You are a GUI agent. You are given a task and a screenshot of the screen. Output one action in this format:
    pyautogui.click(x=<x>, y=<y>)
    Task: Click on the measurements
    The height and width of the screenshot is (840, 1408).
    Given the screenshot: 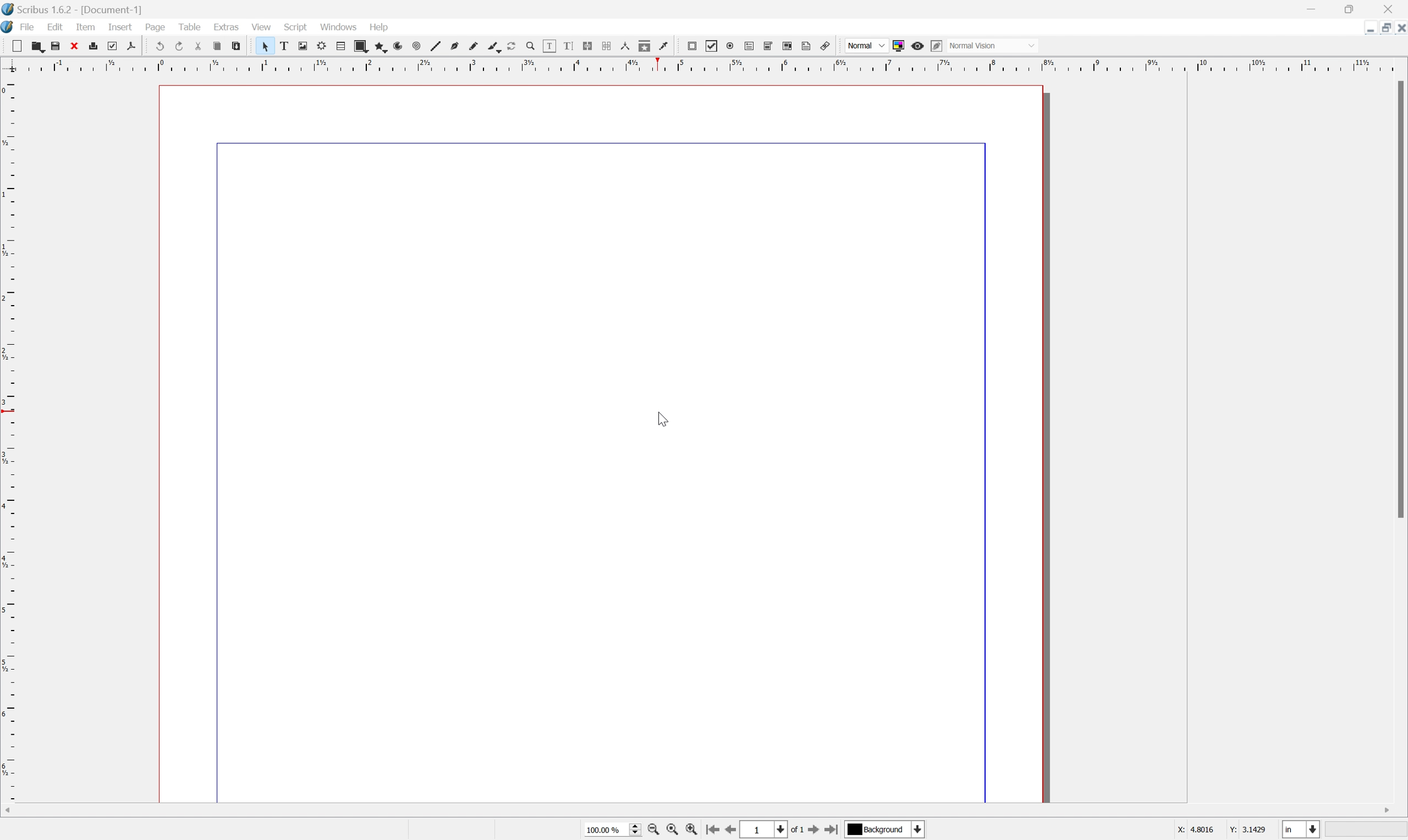 What is the action you would take?
    pyautogui.click(x=624, y=46)
    